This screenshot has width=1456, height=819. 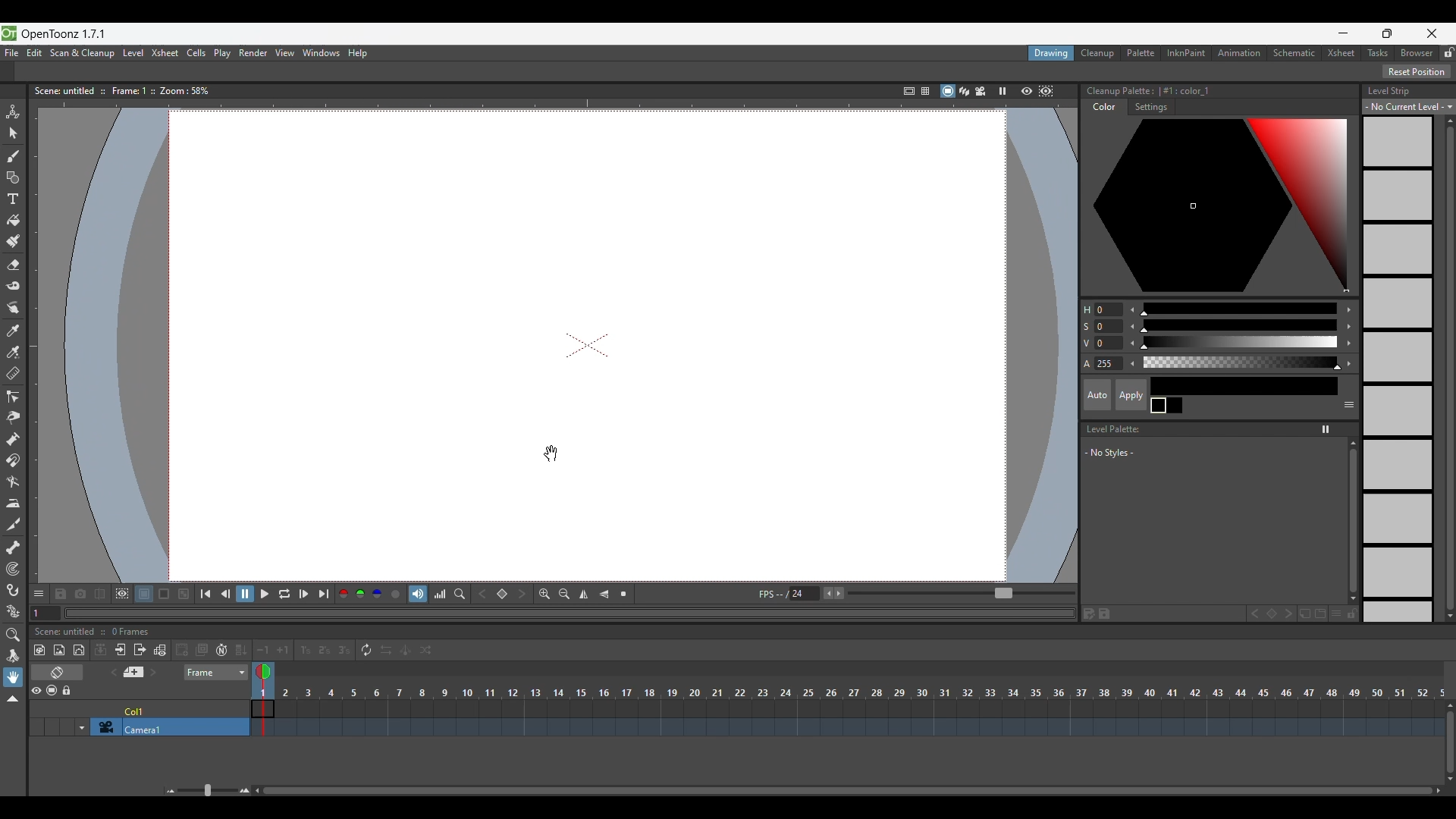 I want to click on Tracker tool, so click(x=13, y=569).